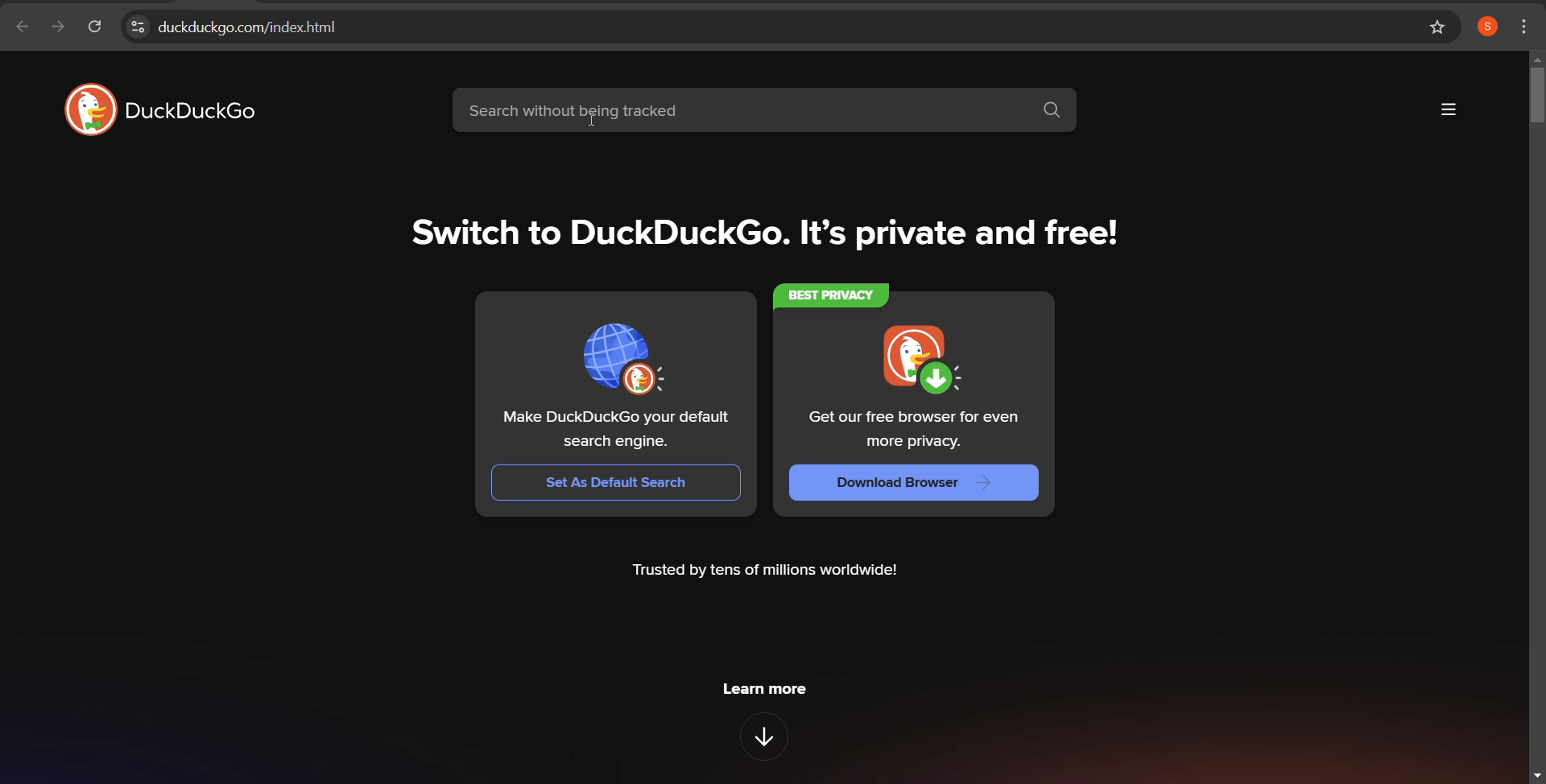 The height and width of the screenshot is (784, 1546). I want to click on website logo, so click(166, 109).